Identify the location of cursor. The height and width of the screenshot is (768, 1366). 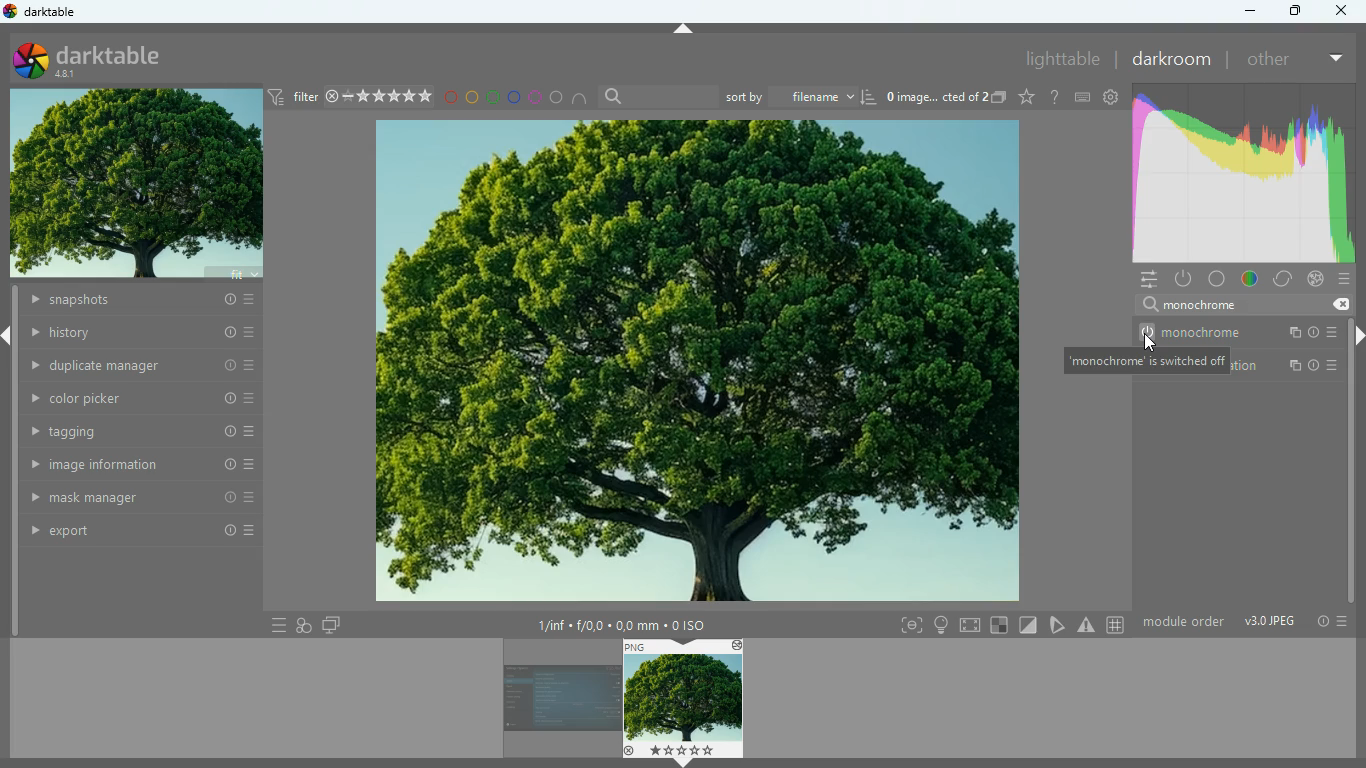
(1152, 343).